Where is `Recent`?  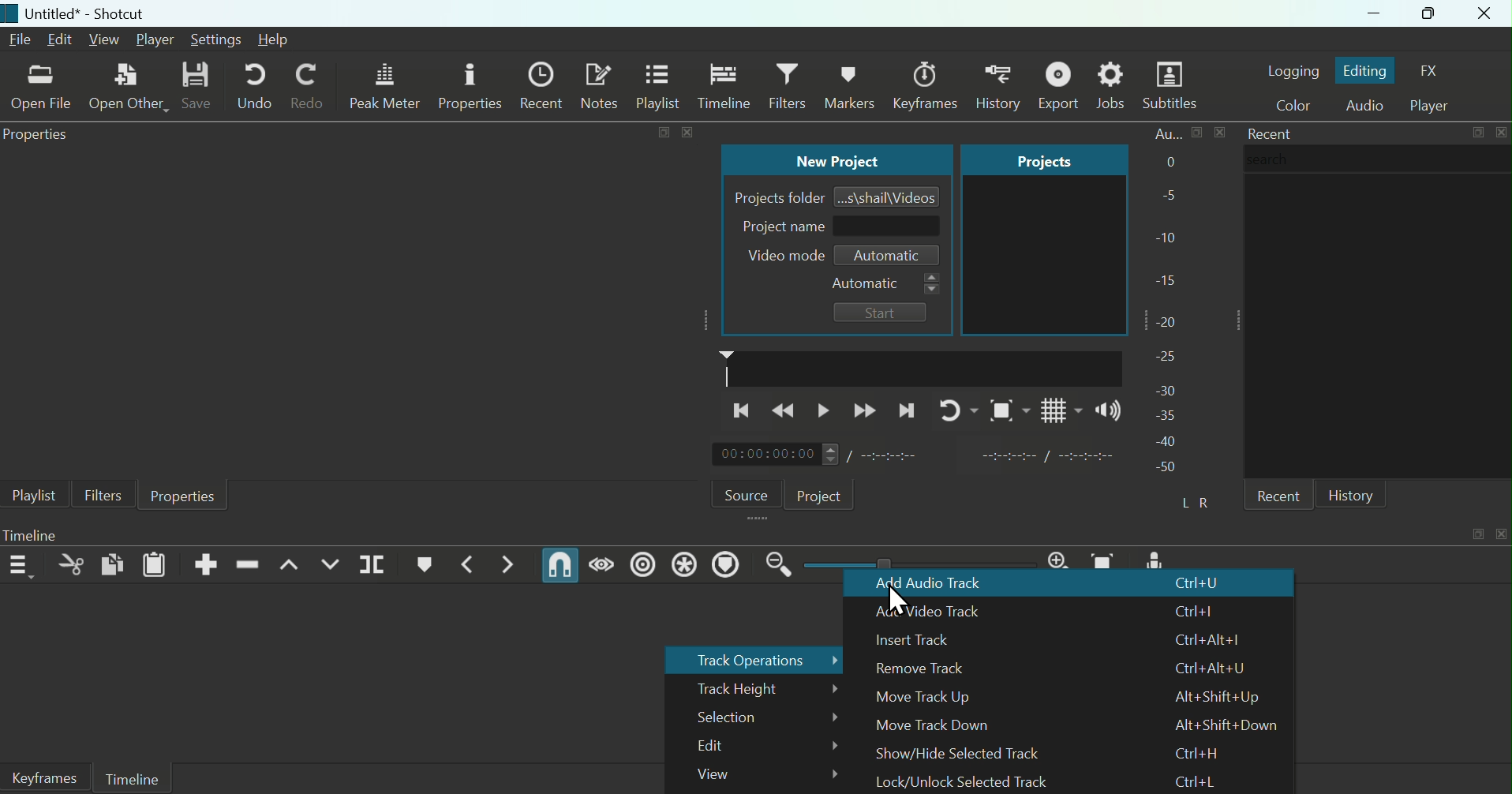 Recent is located at coordinates (1267, 131).